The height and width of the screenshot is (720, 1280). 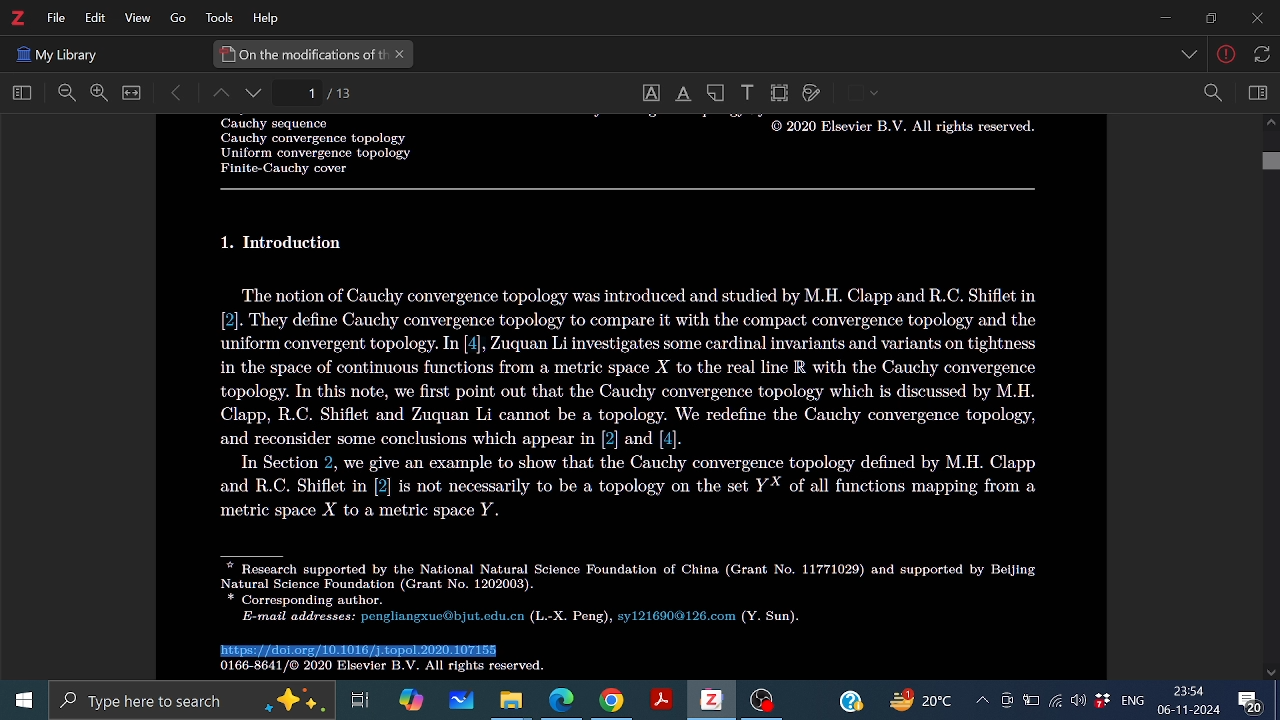 What do you see at coordinates (132, 93) in the screenshot?
I see `Full view` at bounding box center [132, 93].